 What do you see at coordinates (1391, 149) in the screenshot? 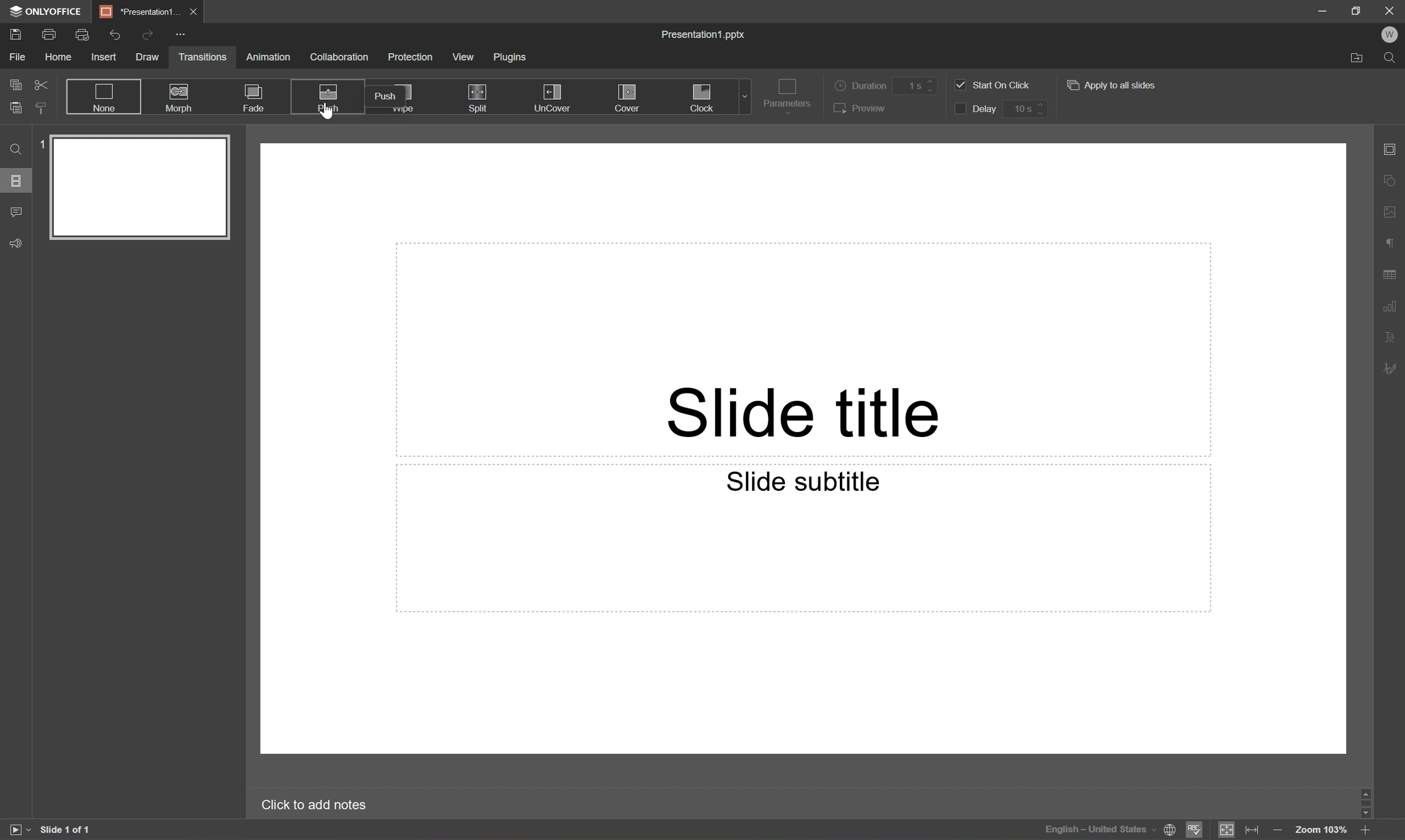
I see `Slide settings` at bounding box center [1391, 149].